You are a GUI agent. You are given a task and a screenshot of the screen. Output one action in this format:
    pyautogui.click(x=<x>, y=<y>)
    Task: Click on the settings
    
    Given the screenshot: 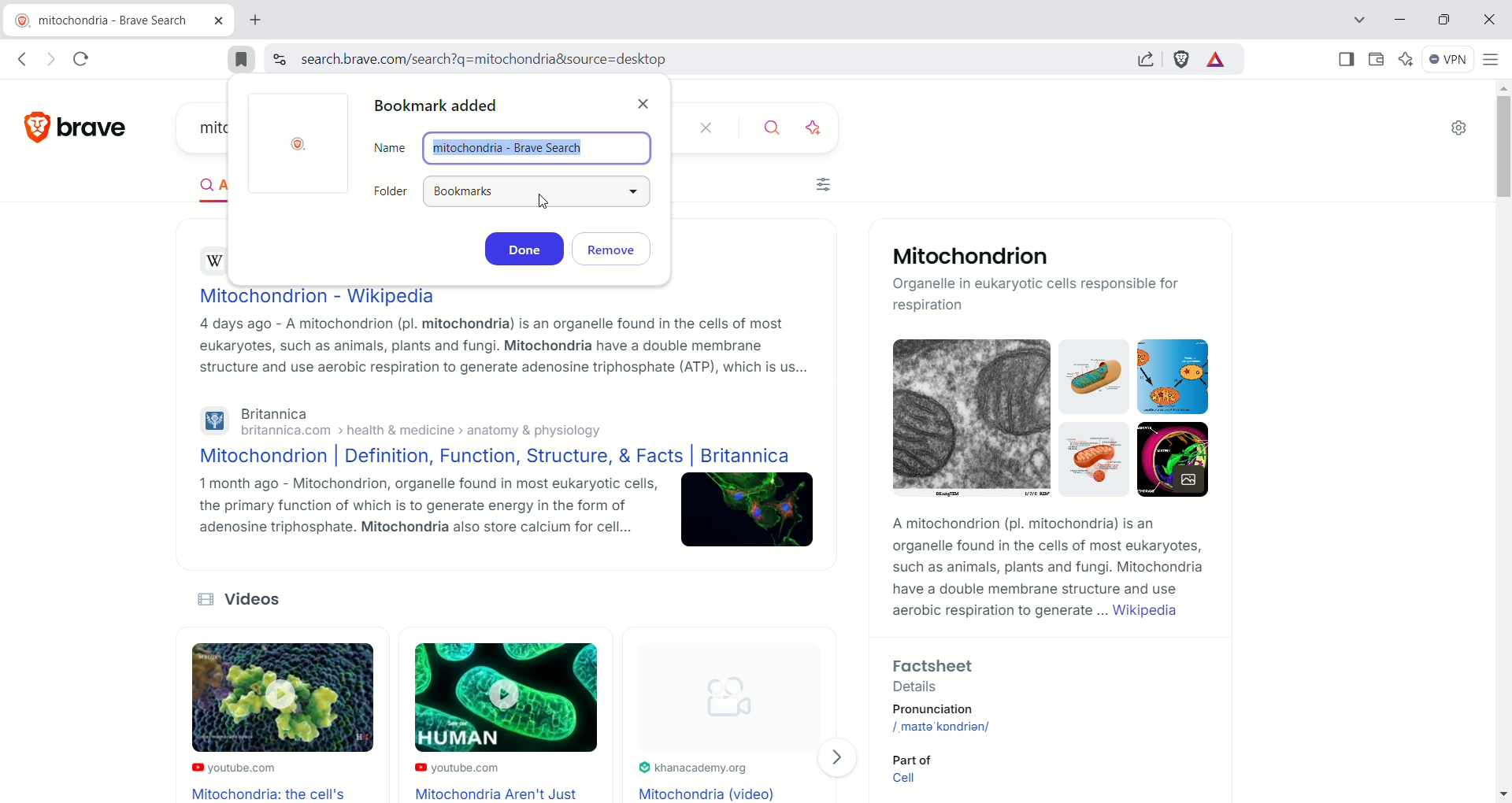 What is the action you would take?
    pyautogui.click(x=1461, y=129)
    